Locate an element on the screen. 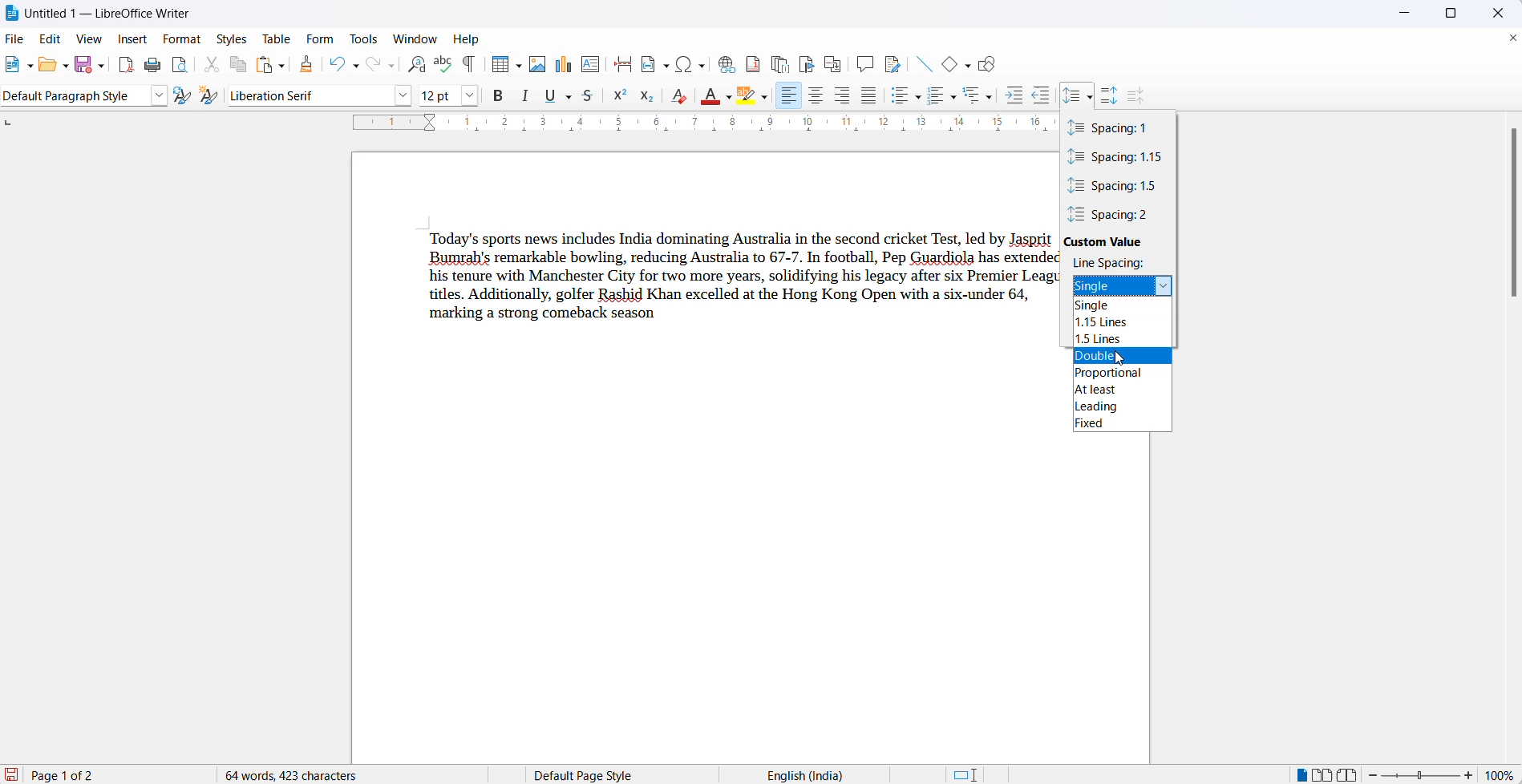 The width and height of the screenshot is (1522, 784). standard selection is located at coordinates (965, 774).